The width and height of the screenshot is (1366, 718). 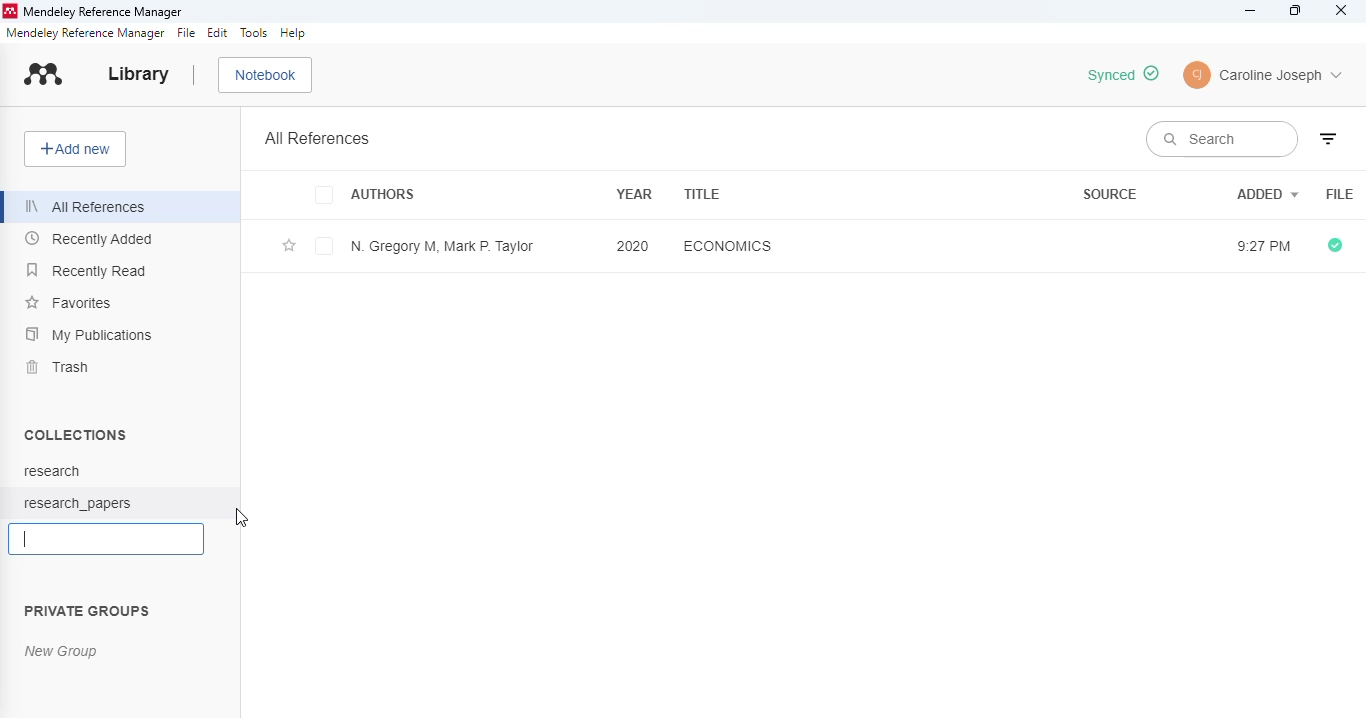 What do you see at coordinates (727, 245) in the screenshot?
I see `economics` at bounding box center [727, 245].